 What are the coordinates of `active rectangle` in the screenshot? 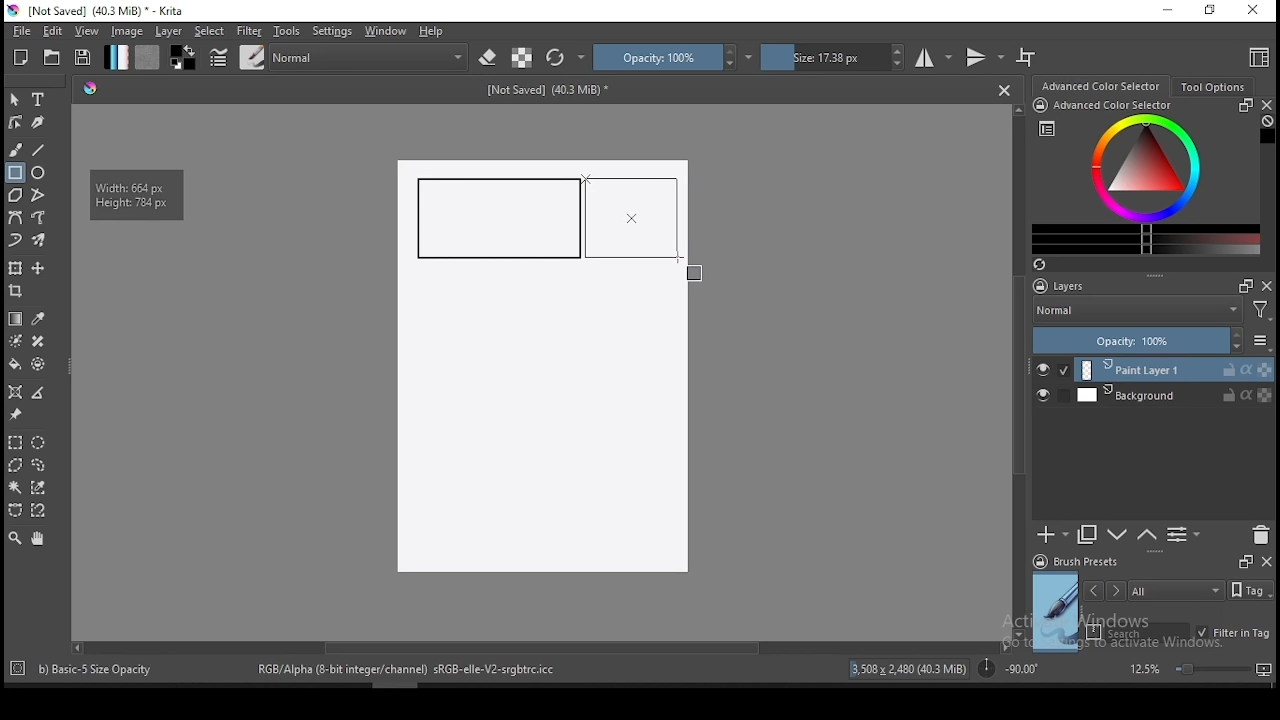 It's located at (635, 219).